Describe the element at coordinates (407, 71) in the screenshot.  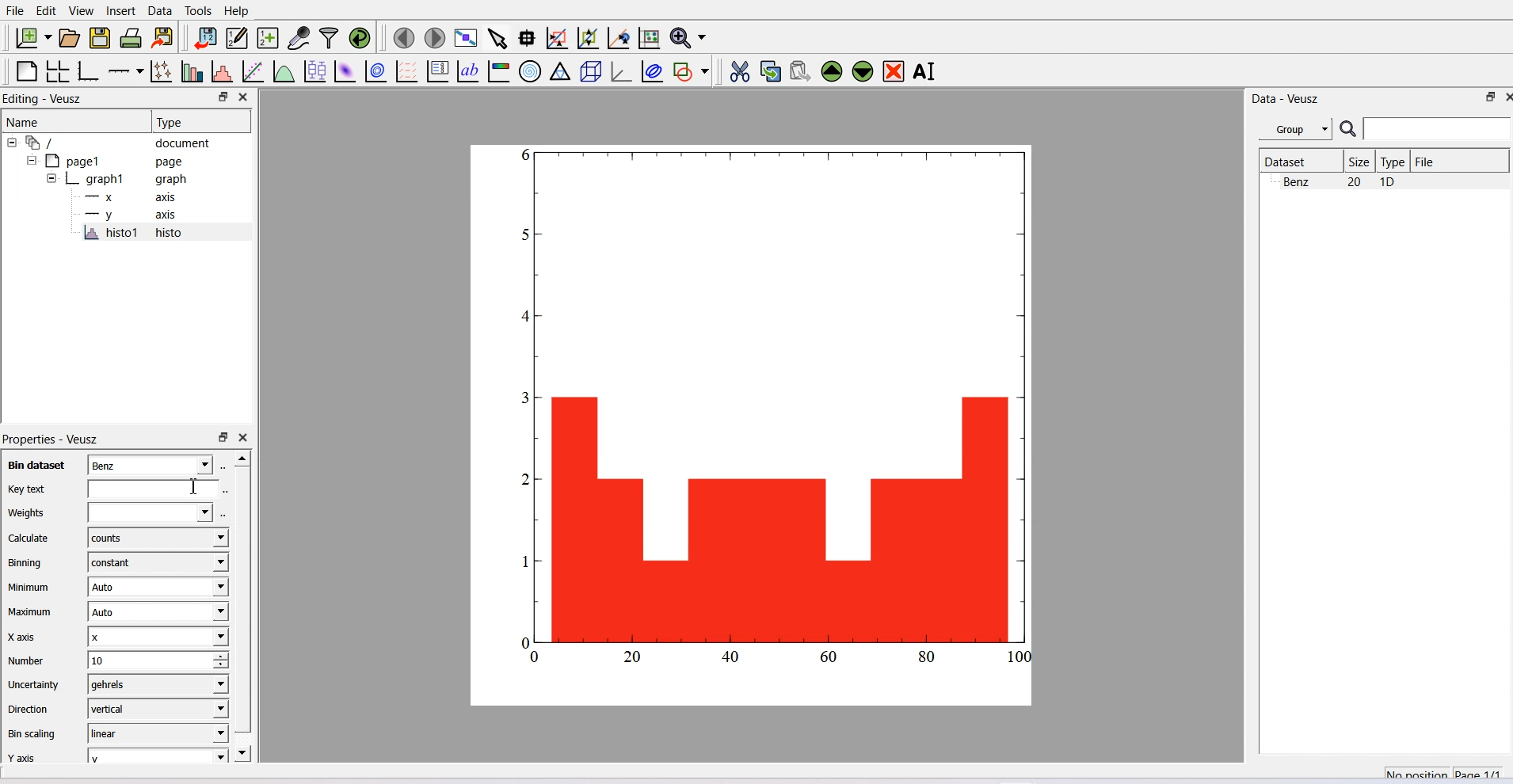
I see `Plot a vector field` at that location.